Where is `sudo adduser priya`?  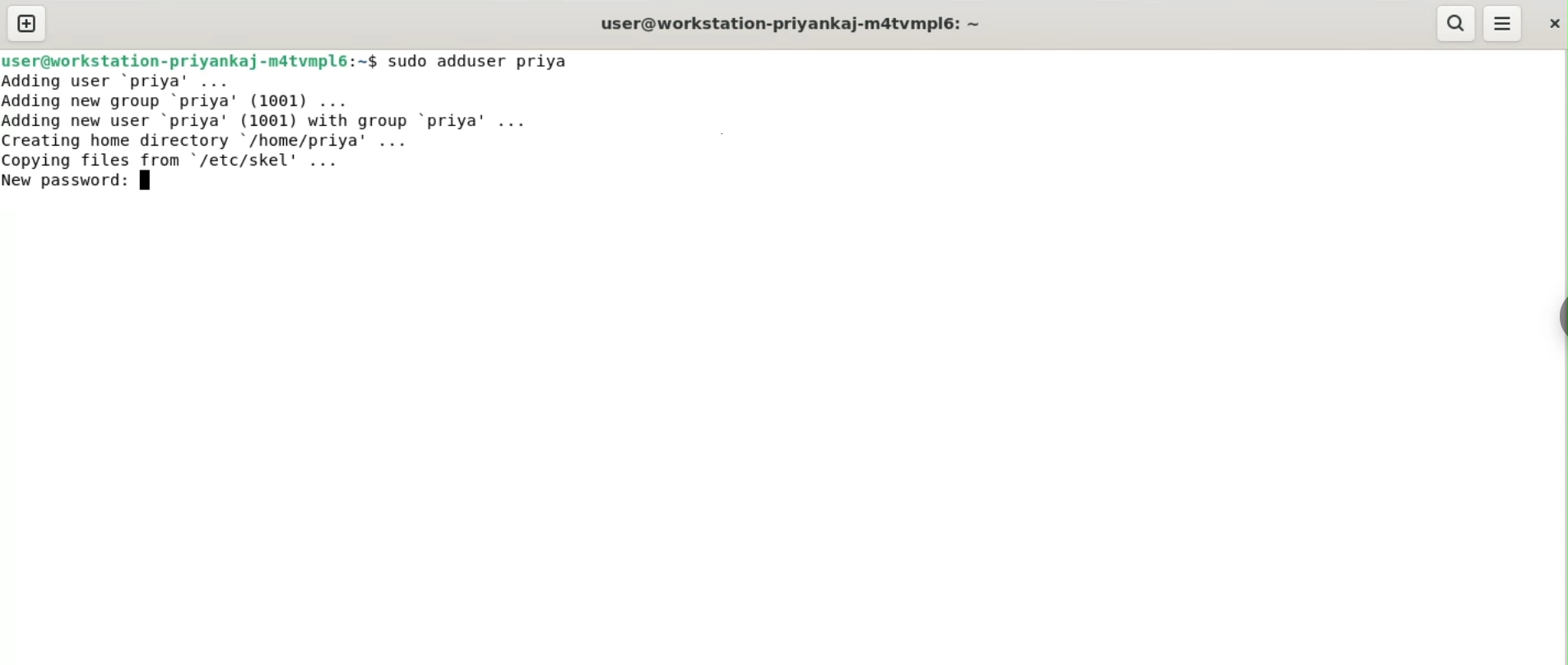
sudo adduser priya is located at coordinates (480, 61).